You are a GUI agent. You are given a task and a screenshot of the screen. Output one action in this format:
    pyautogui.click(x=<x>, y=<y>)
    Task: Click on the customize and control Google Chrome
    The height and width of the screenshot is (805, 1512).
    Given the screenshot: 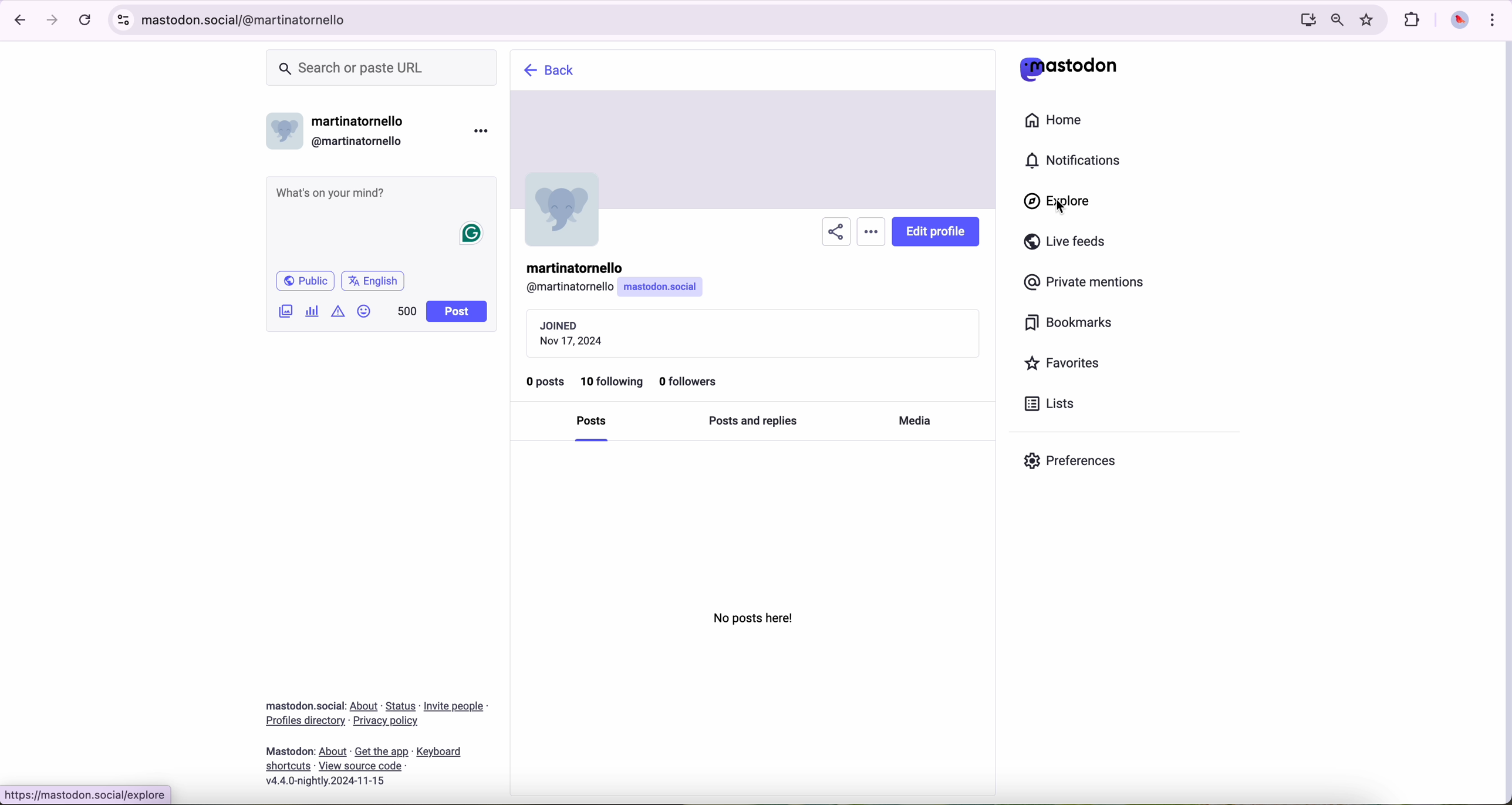 What is the action you would take?
    pyautogui.click(x=1496, y=20)
    